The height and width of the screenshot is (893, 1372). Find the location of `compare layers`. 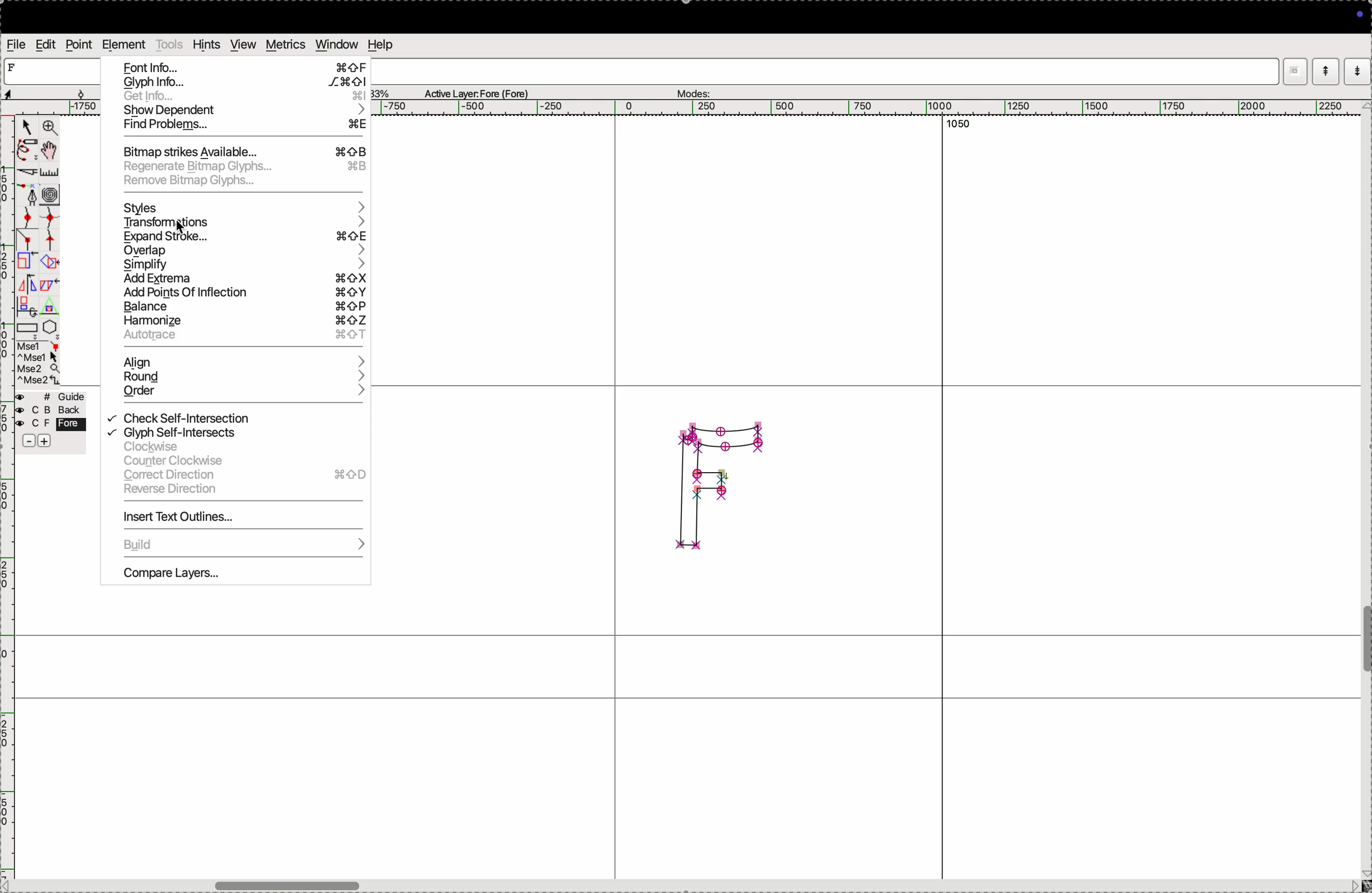

compare layers is located at coordinates (235, 577).